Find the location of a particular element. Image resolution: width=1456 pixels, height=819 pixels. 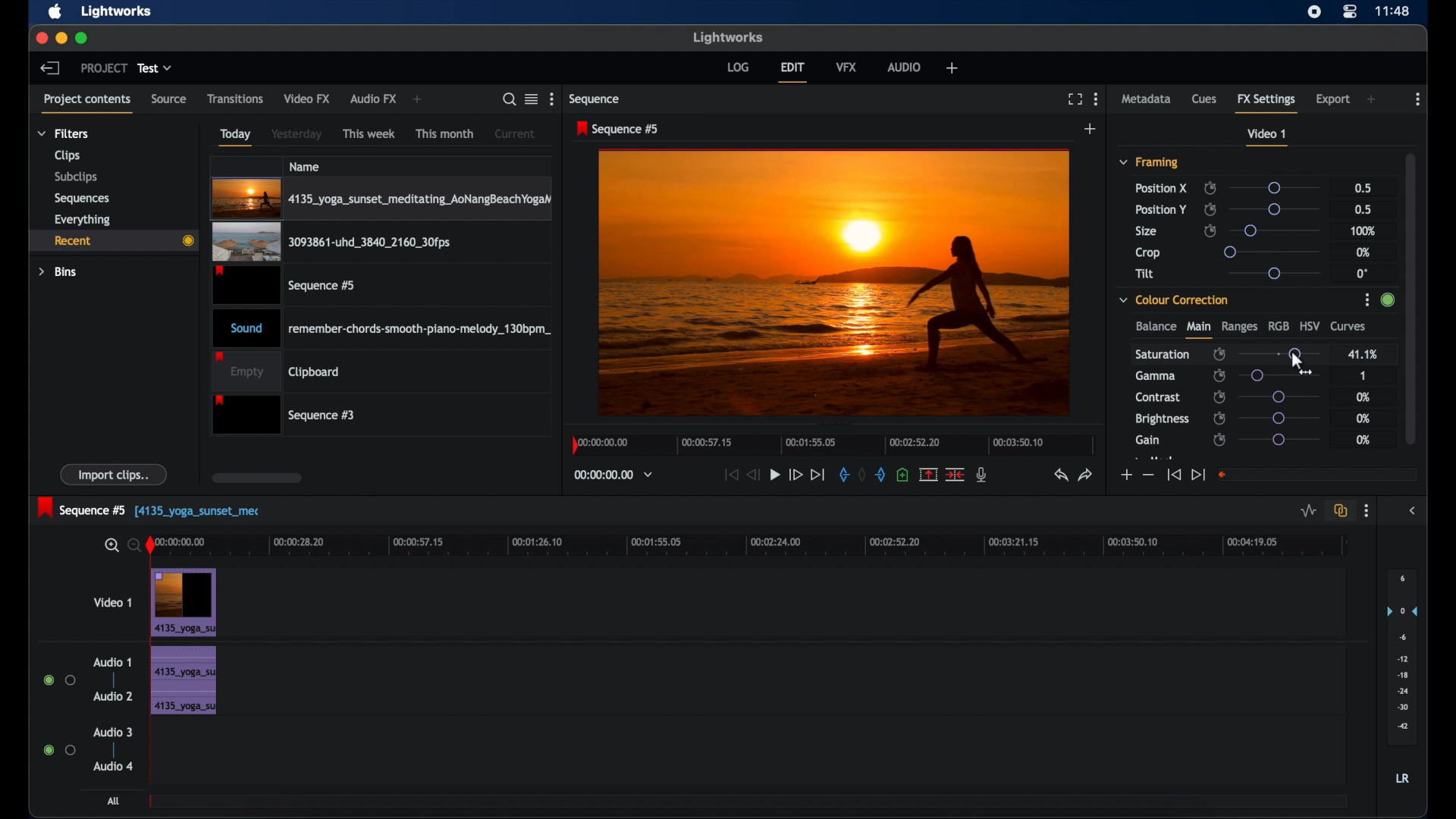

saturation is located at coordinates (1163, 353).